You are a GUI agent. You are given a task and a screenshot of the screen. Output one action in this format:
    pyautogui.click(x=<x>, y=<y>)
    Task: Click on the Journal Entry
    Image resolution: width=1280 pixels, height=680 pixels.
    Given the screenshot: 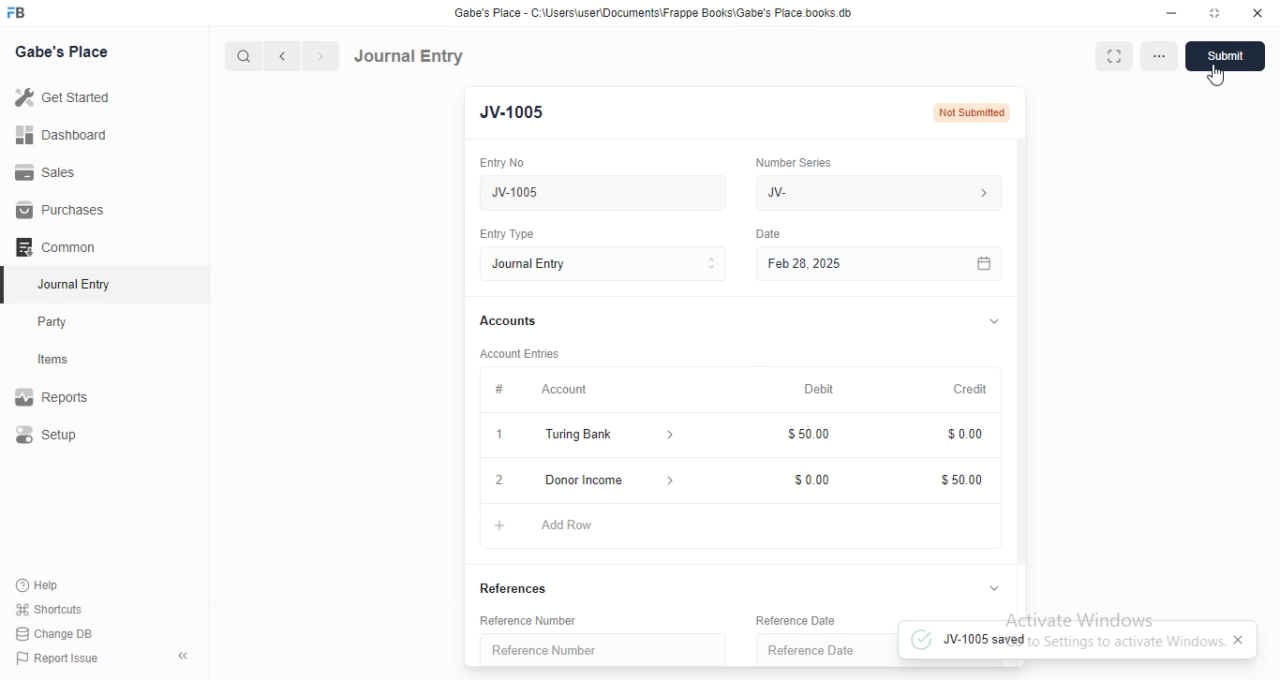 What is the action you would take?
    pyautogui.click(x=65, y=286)
    